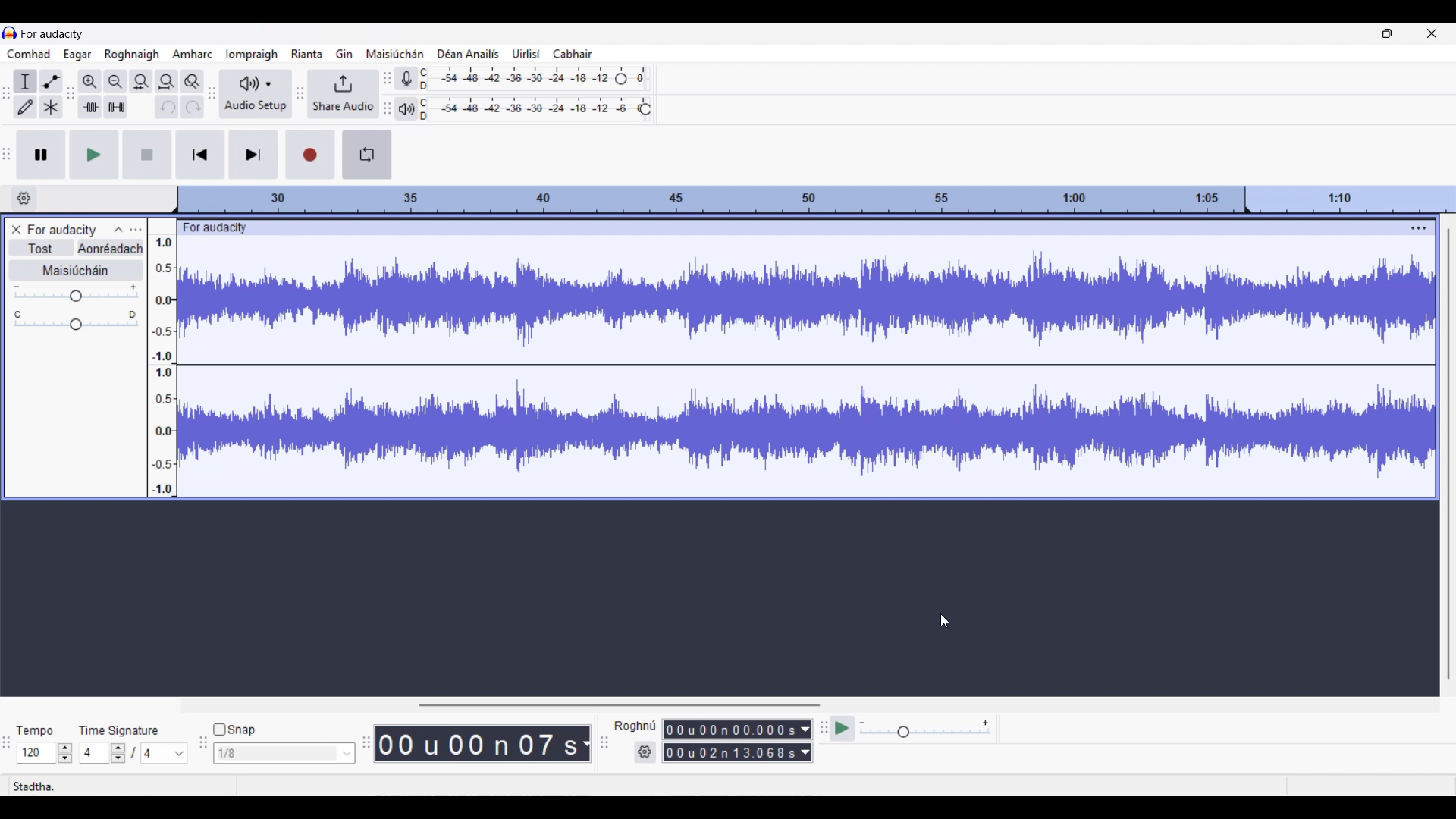  Describe the element at coordinates (1432, 33) in the screenshot. I see `Close interface` at that location.